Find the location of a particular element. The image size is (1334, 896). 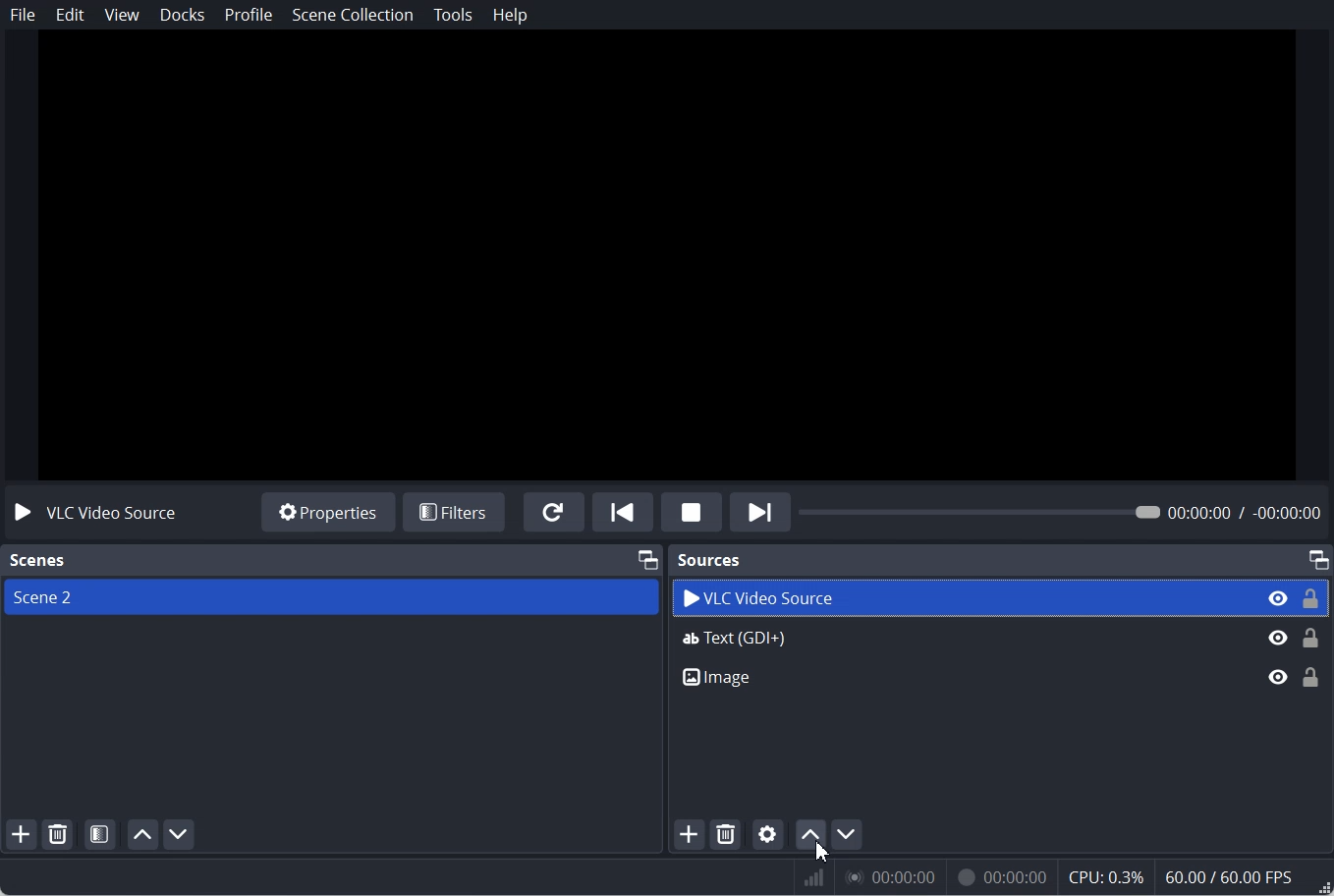

Move source up is located at coordinates (808, 834).